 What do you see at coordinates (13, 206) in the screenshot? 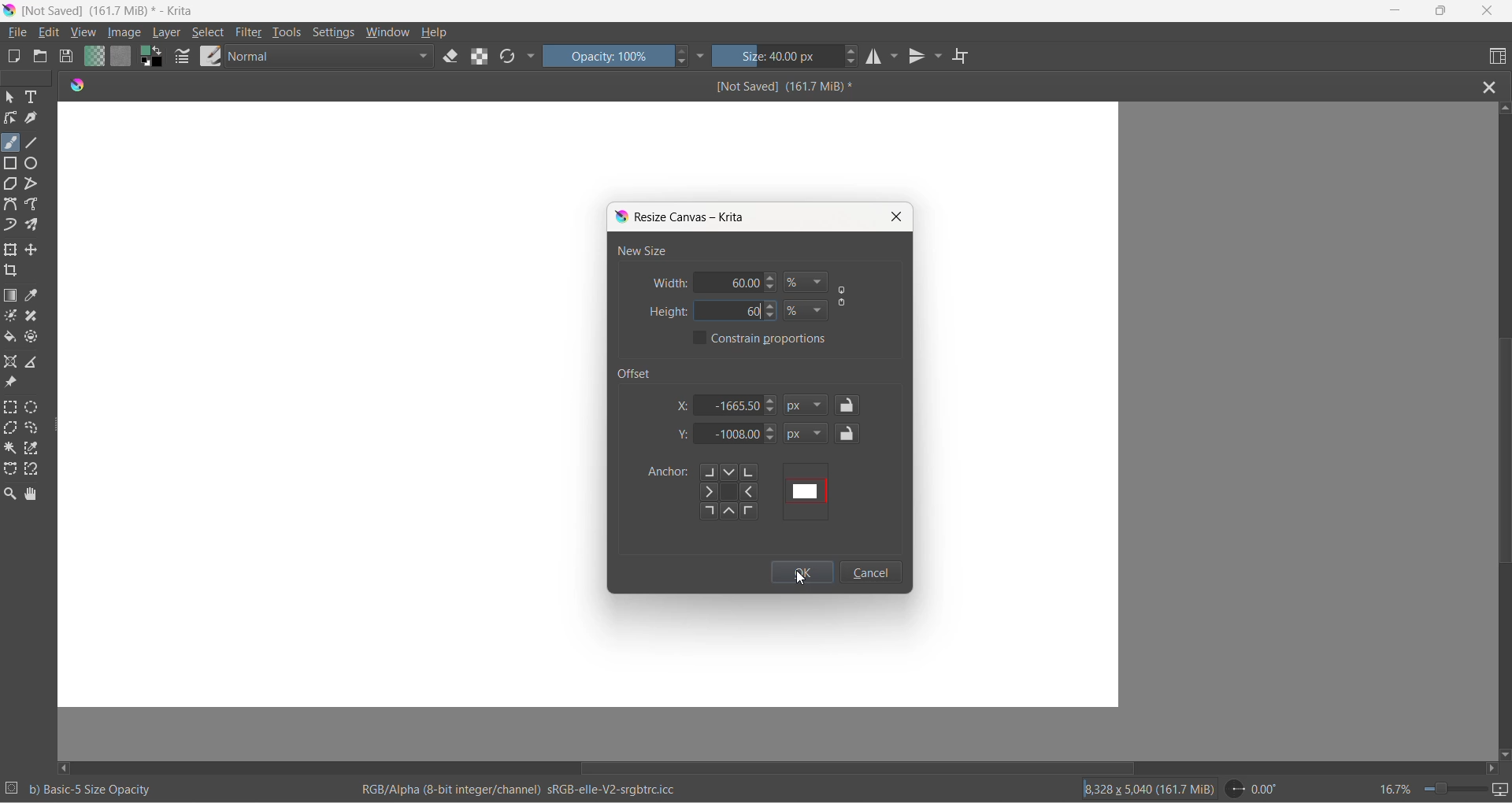
I see `Bezier curve tool ` at bounding box center [13, 206].